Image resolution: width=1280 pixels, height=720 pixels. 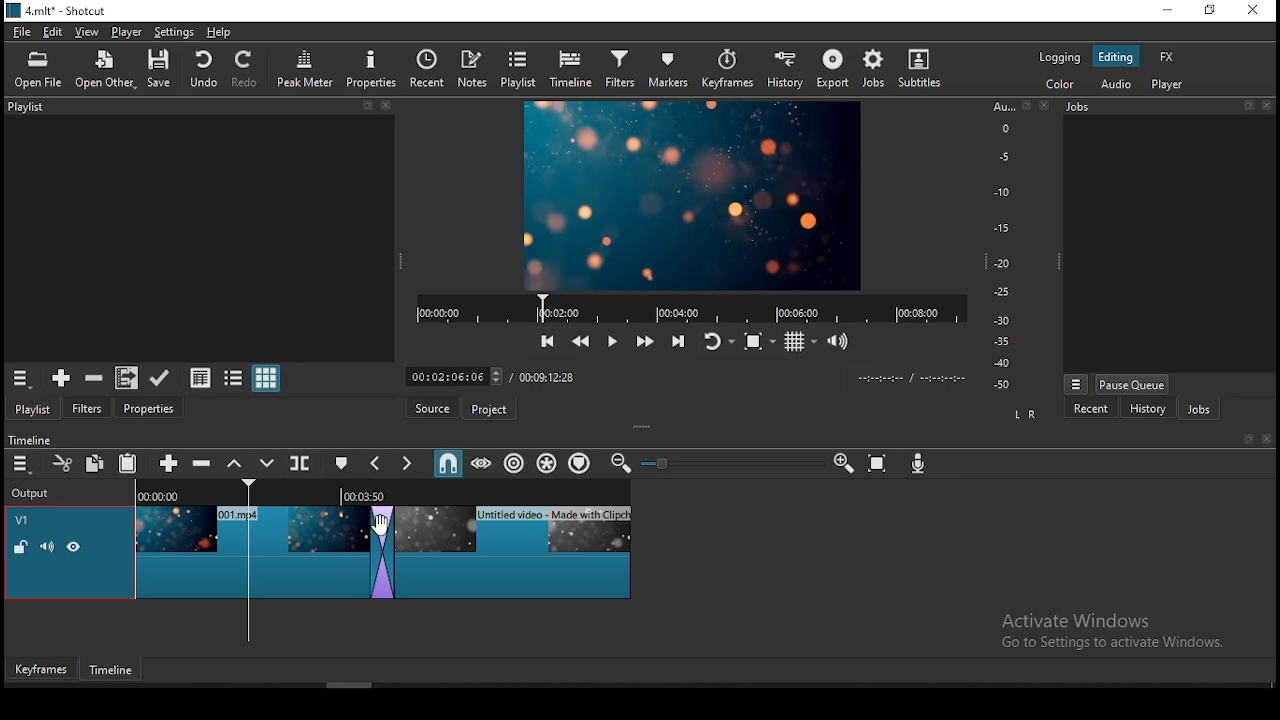 I want to click on zoom timeline to fit, so click(x=879, y=462).